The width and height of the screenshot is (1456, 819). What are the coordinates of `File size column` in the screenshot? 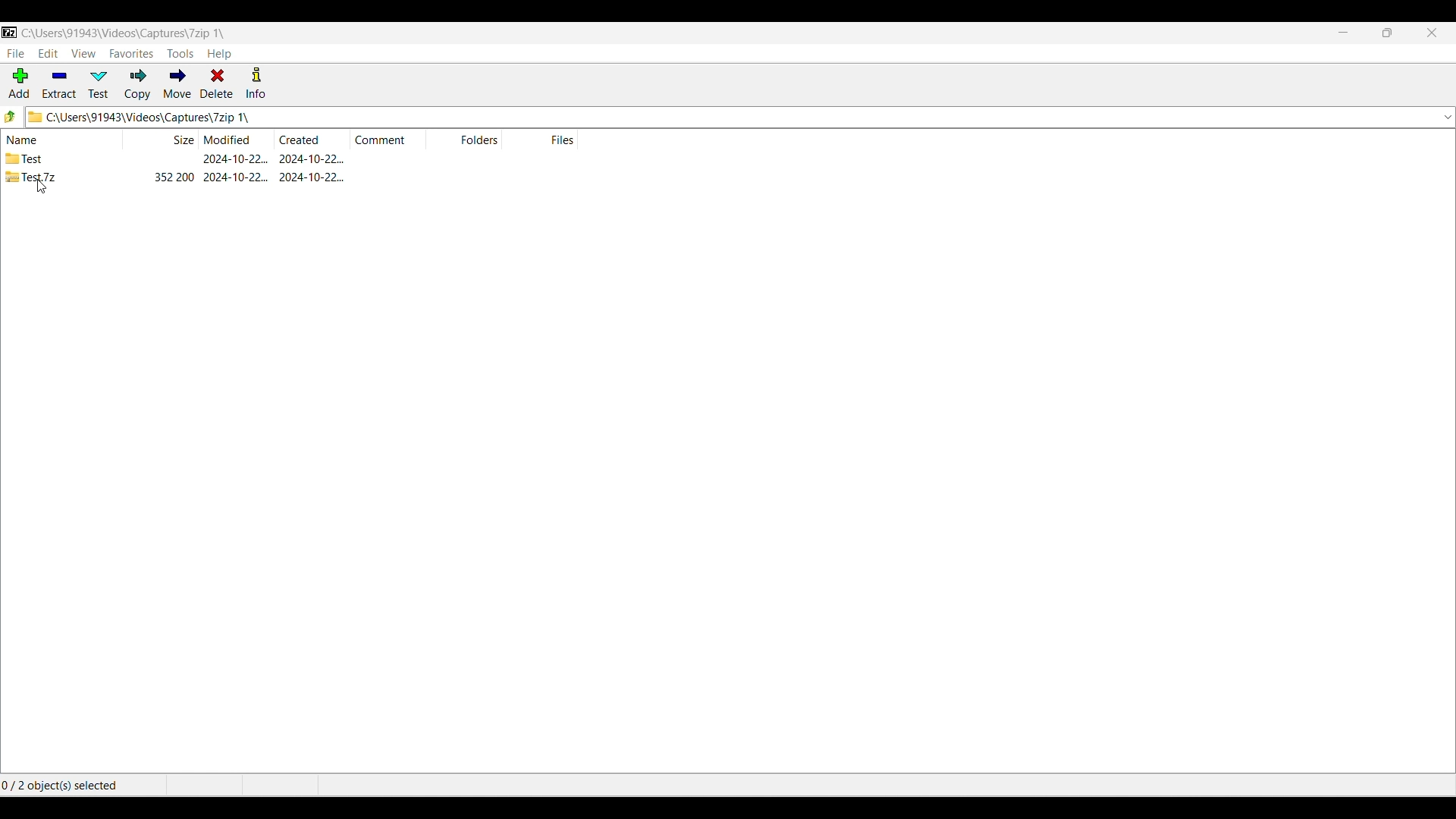 It's located at (163, 139).